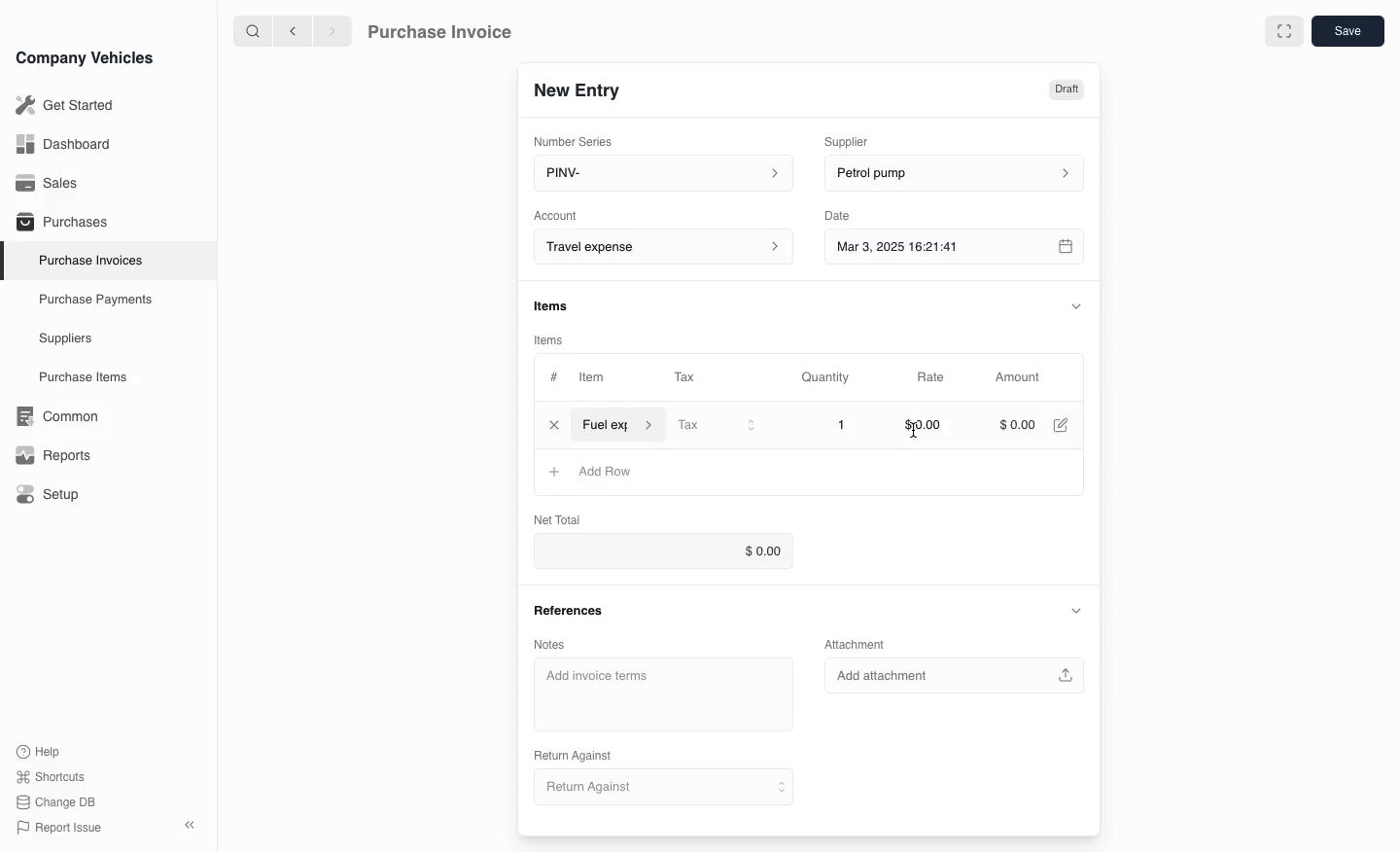  I want to click on Common, so click(52, 416).